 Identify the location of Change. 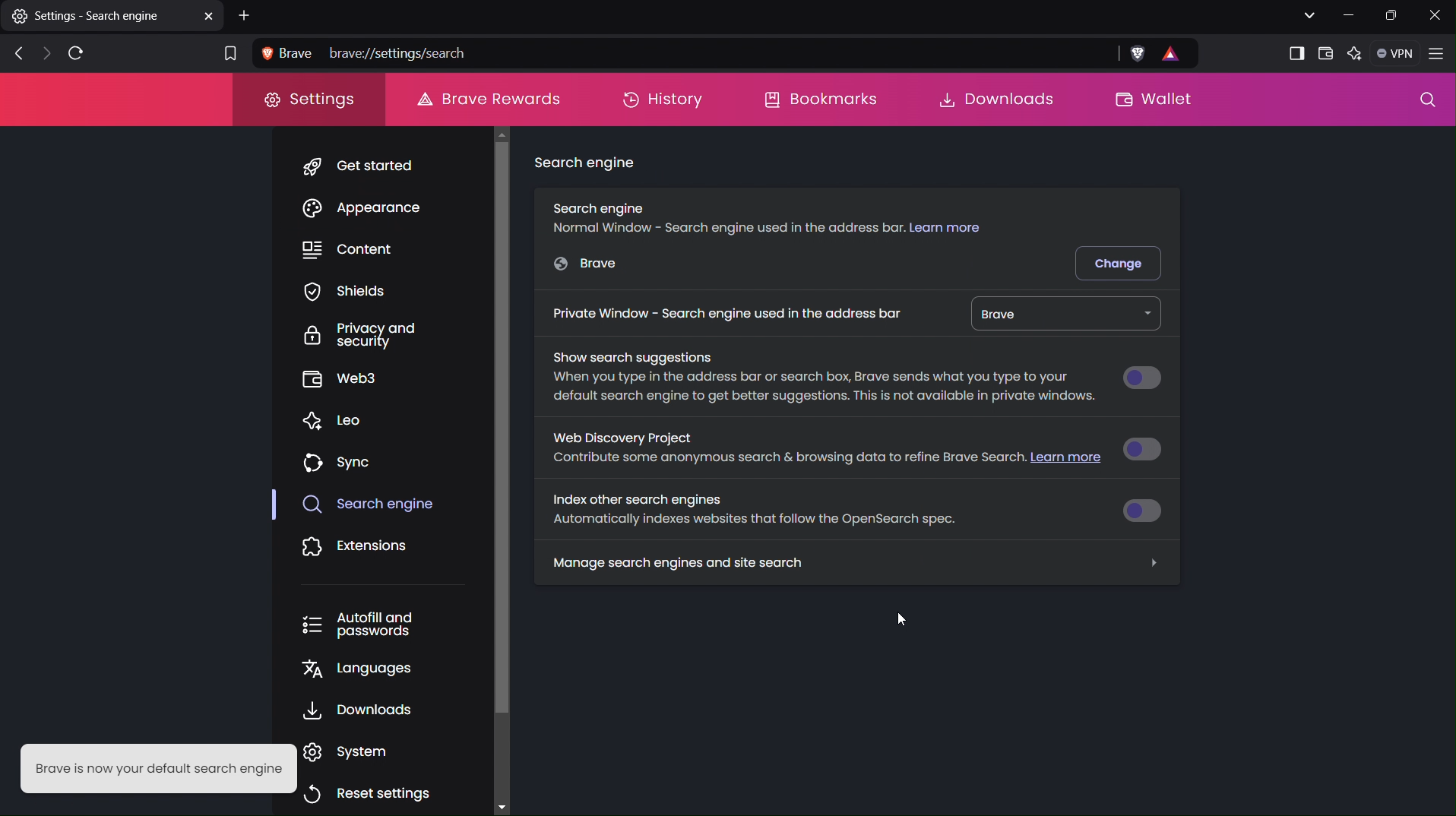
(1121, 261).